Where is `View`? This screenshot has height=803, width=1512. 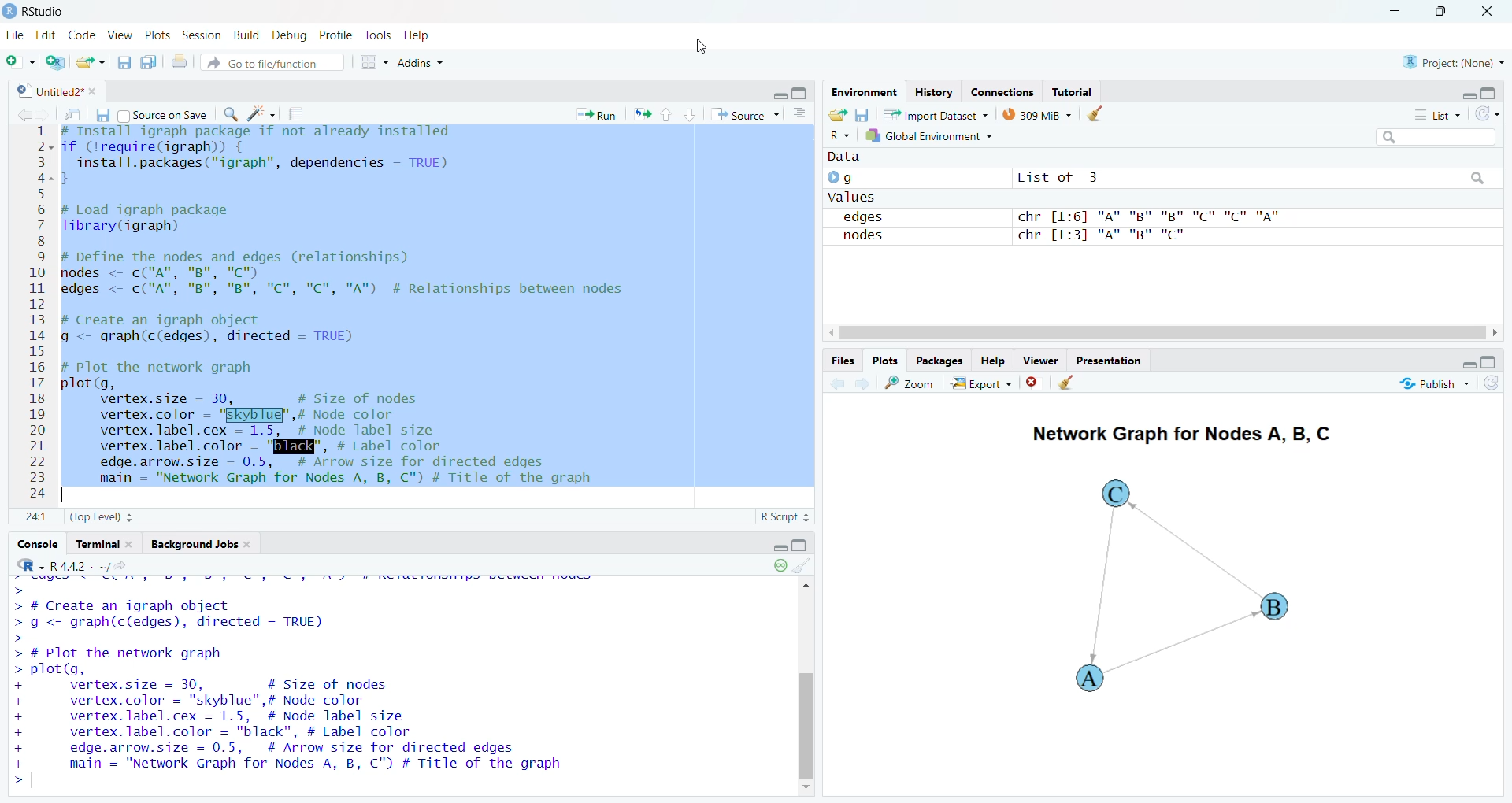
View is located at coordinates (121, 36).